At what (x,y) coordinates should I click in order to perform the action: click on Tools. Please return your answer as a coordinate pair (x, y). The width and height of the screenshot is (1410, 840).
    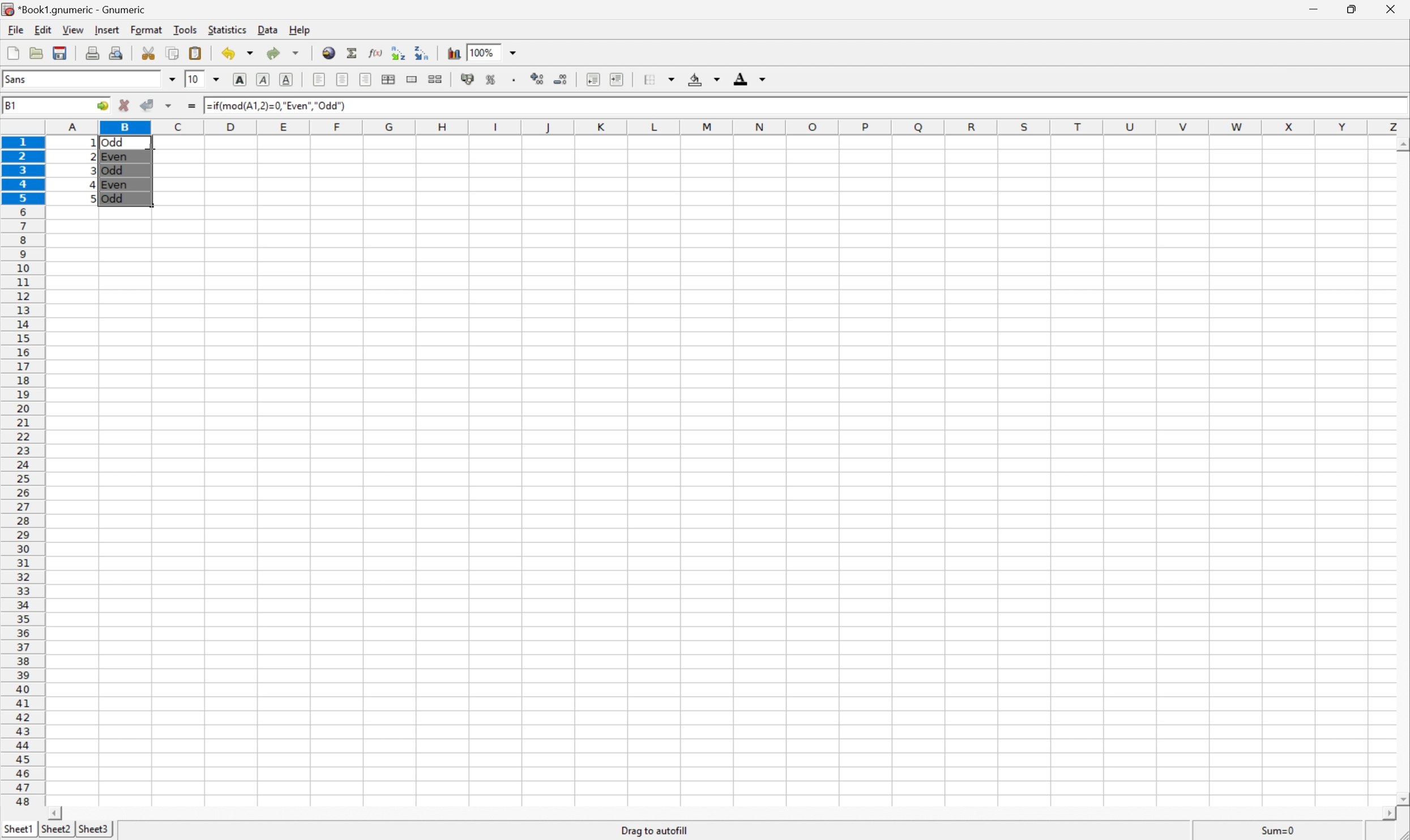
    Looking at the image, I should click on (185, 30).